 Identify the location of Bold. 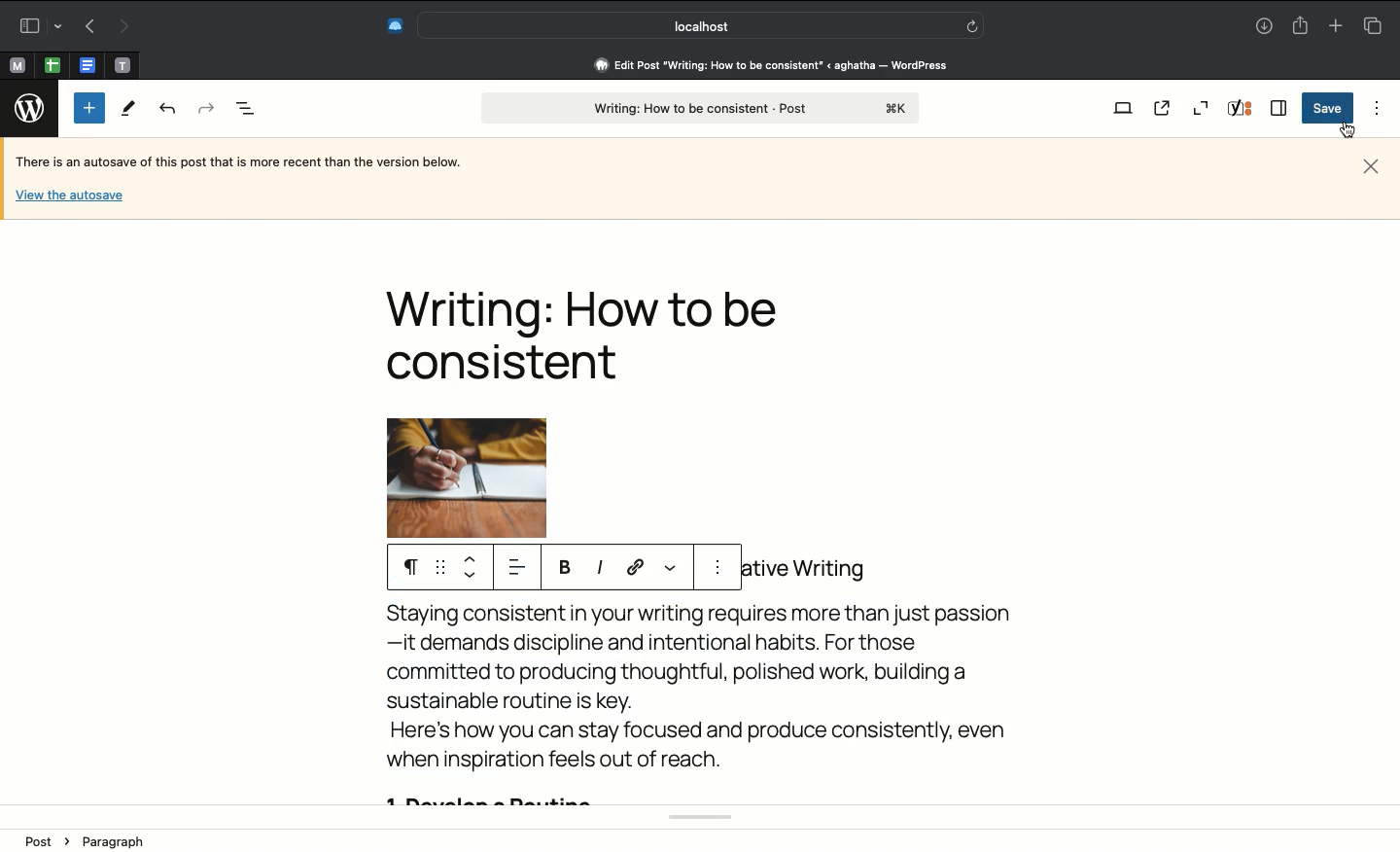
(567, 568).